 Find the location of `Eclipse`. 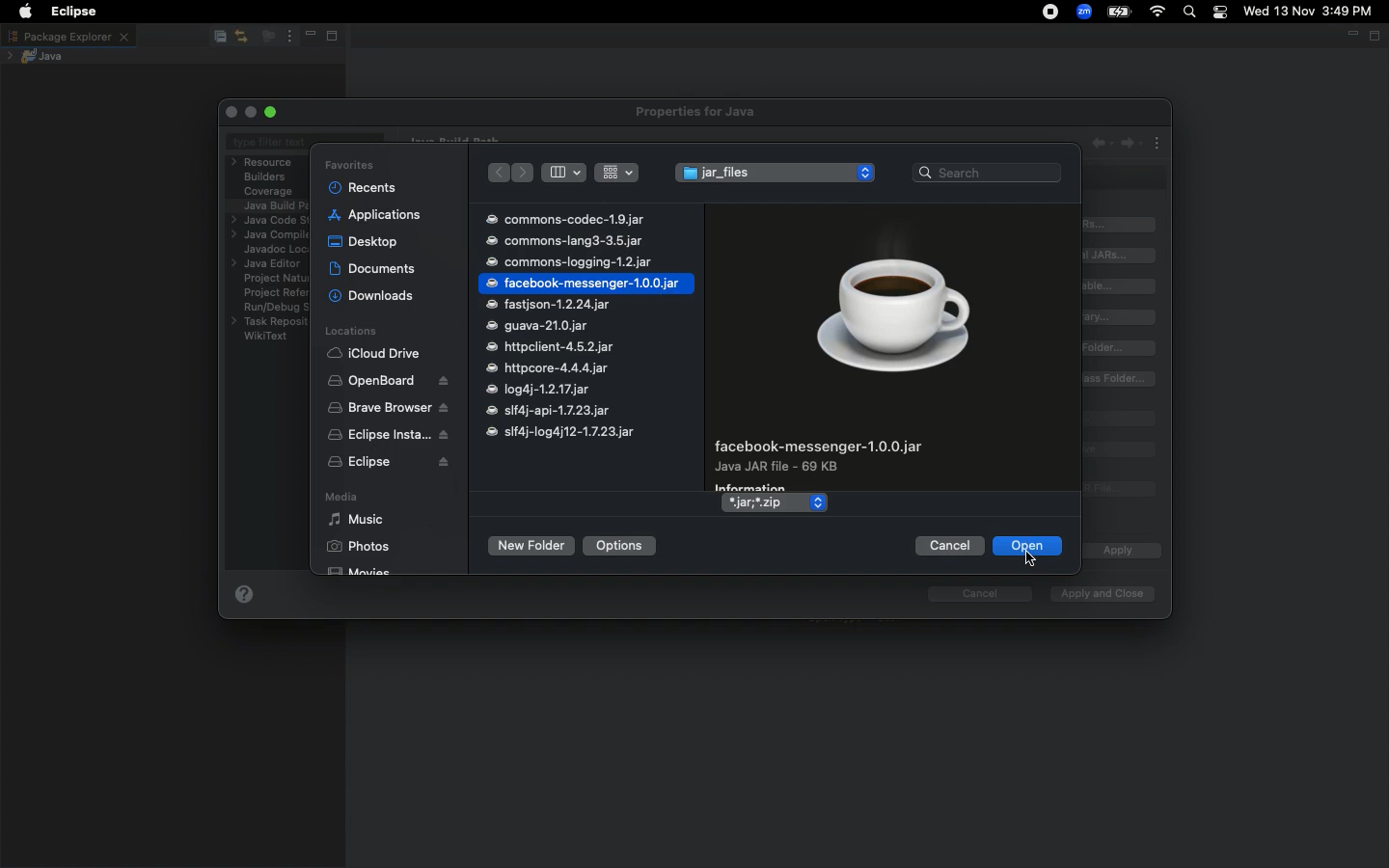

Eclipse is located at coordinates (389, 464).